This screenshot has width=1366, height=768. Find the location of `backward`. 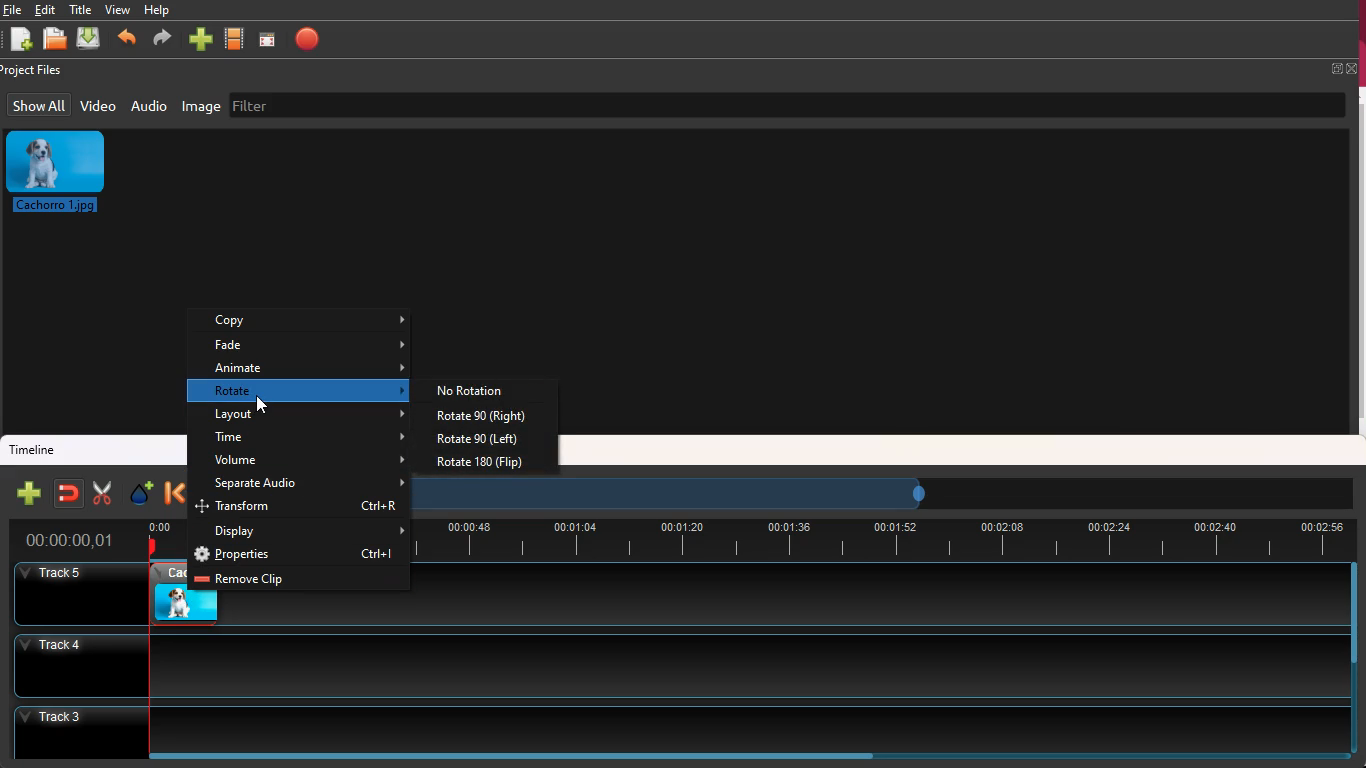

backward is located at coordinates (128, 37).